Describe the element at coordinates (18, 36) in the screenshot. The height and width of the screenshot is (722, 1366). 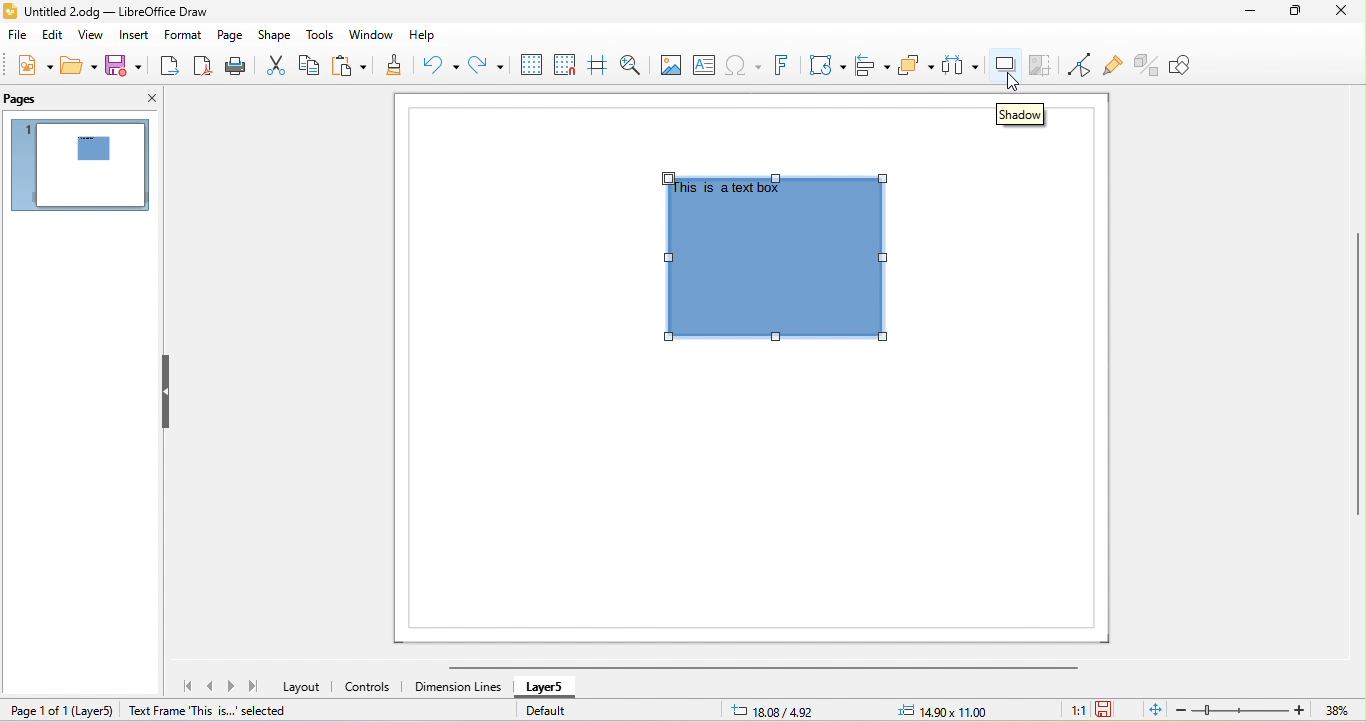
I see `file` at that location.